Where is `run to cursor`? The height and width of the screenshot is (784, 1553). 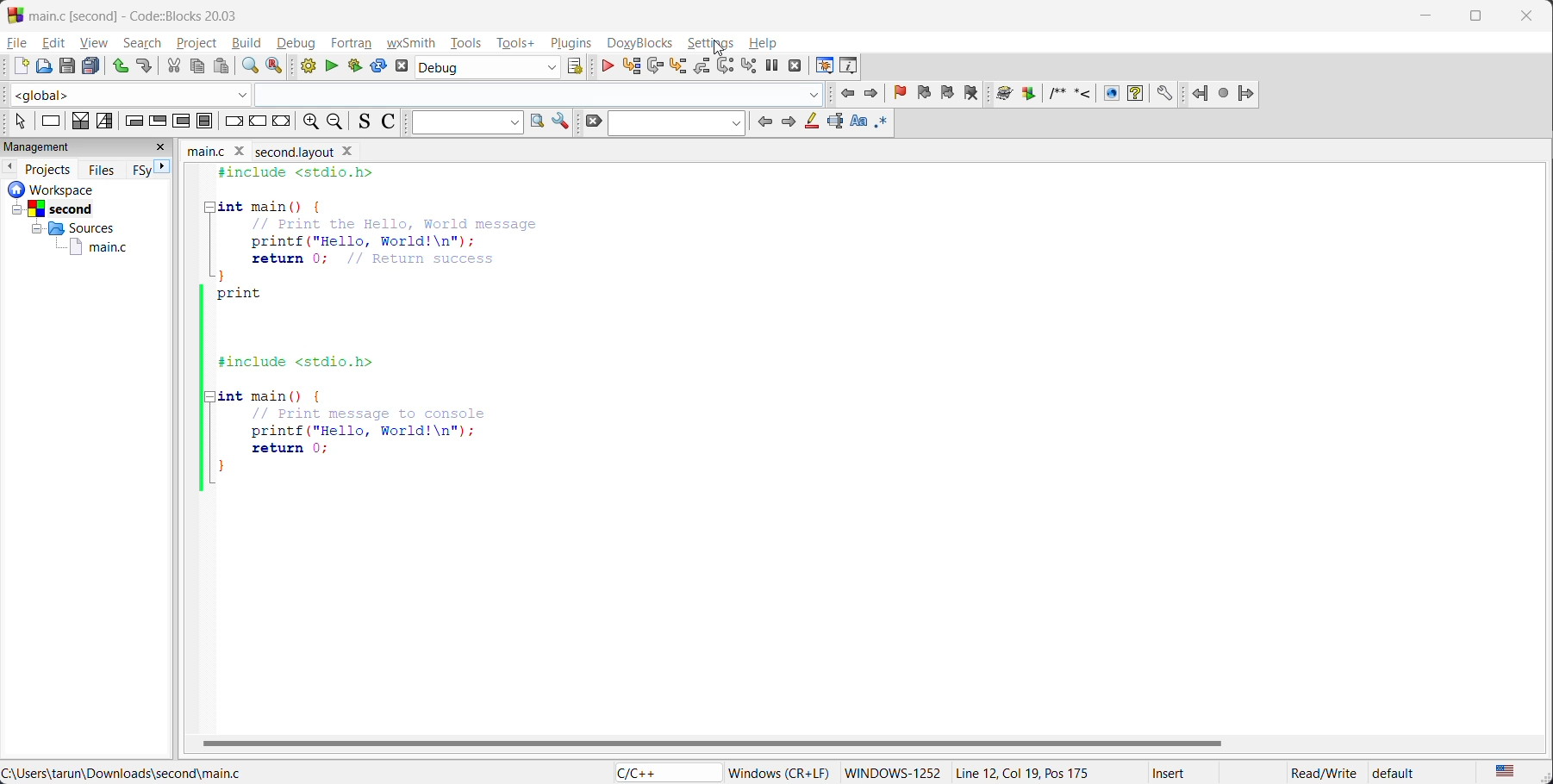 run to cursor is located at coordinates (634, 66).